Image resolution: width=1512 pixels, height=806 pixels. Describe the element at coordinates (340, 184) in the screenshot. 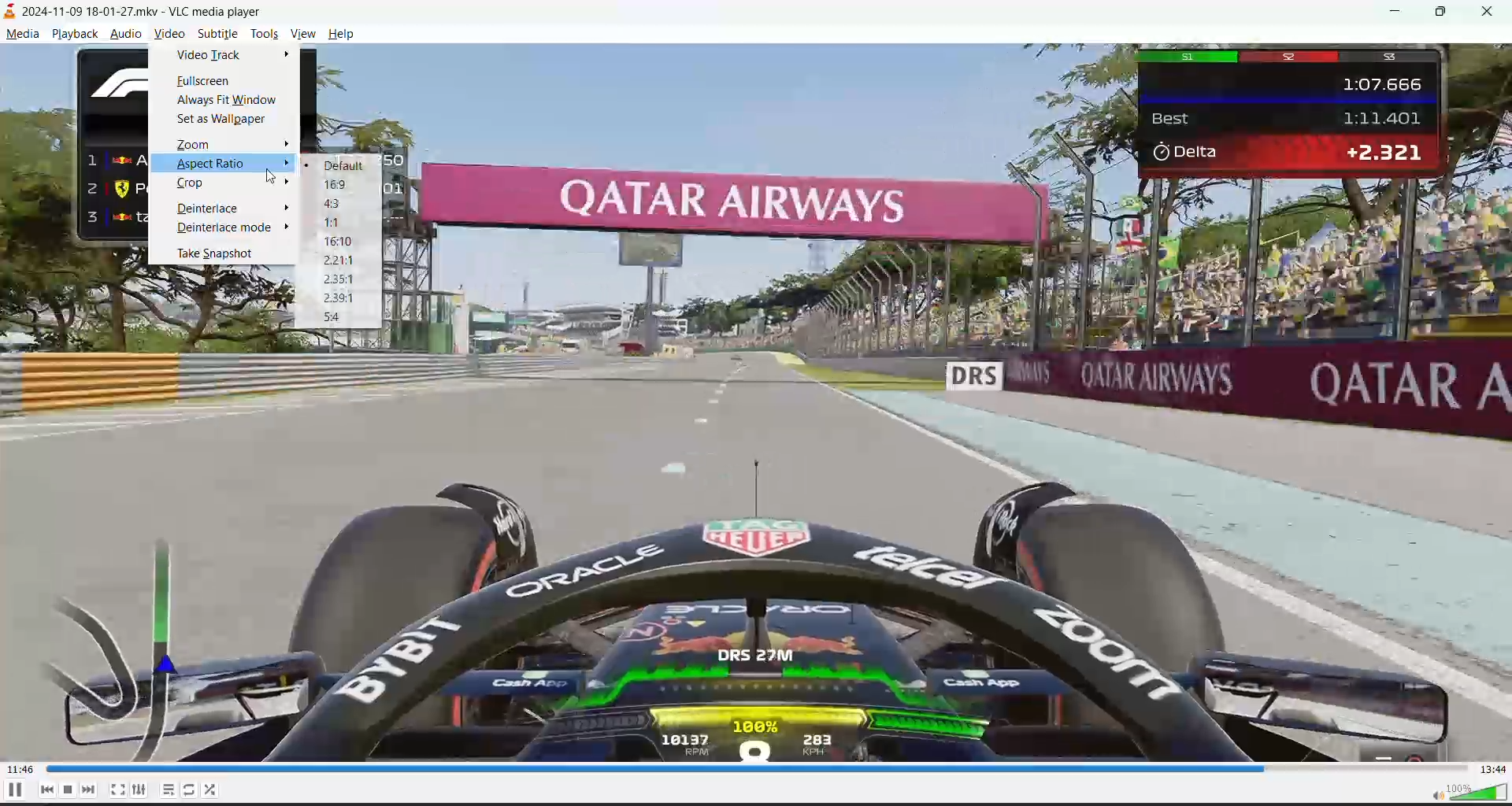

I see `16:9` at that location.